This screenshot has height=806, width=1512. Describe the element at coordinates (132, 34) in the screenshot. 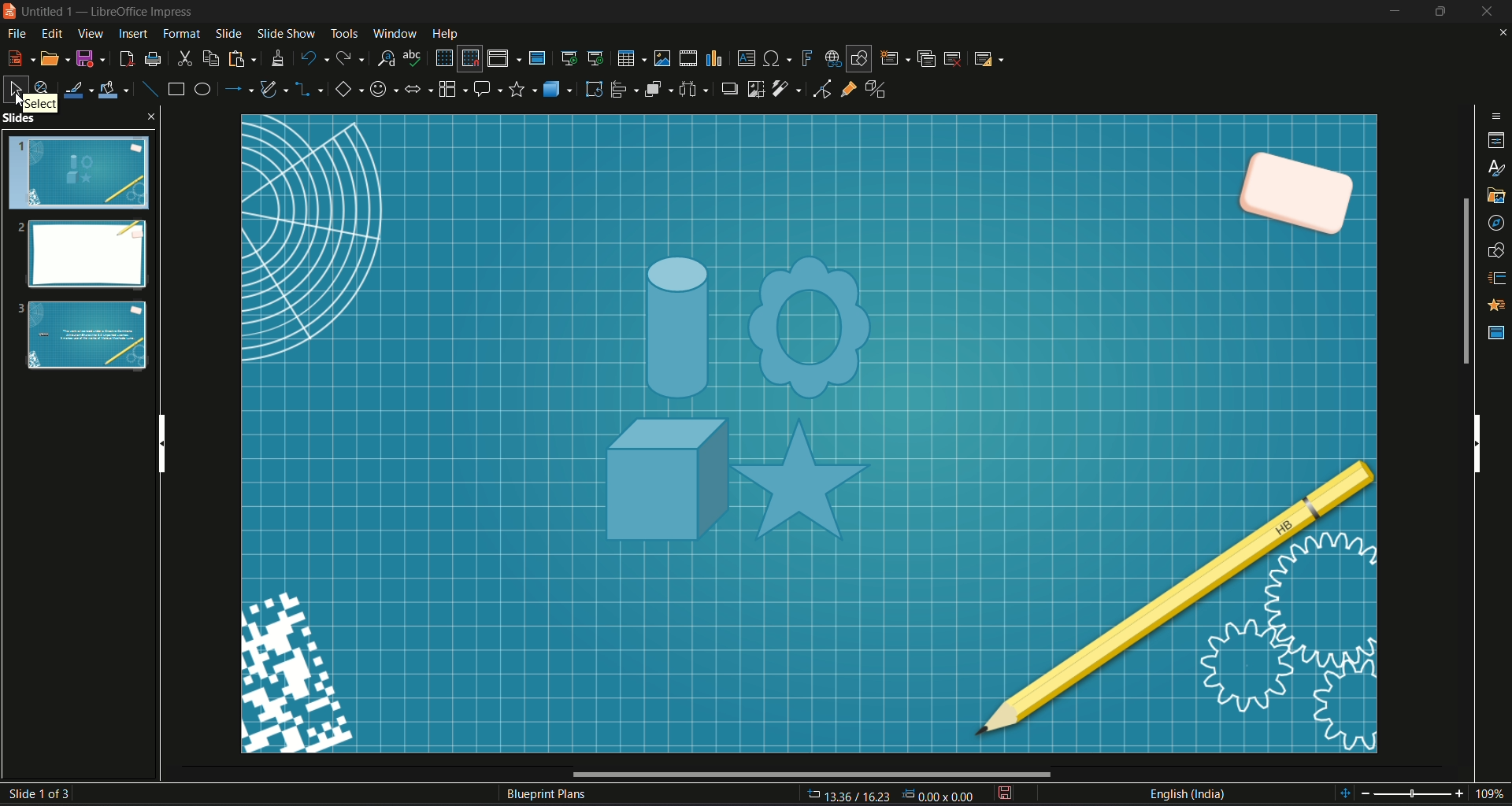

I see `insert` at that location.